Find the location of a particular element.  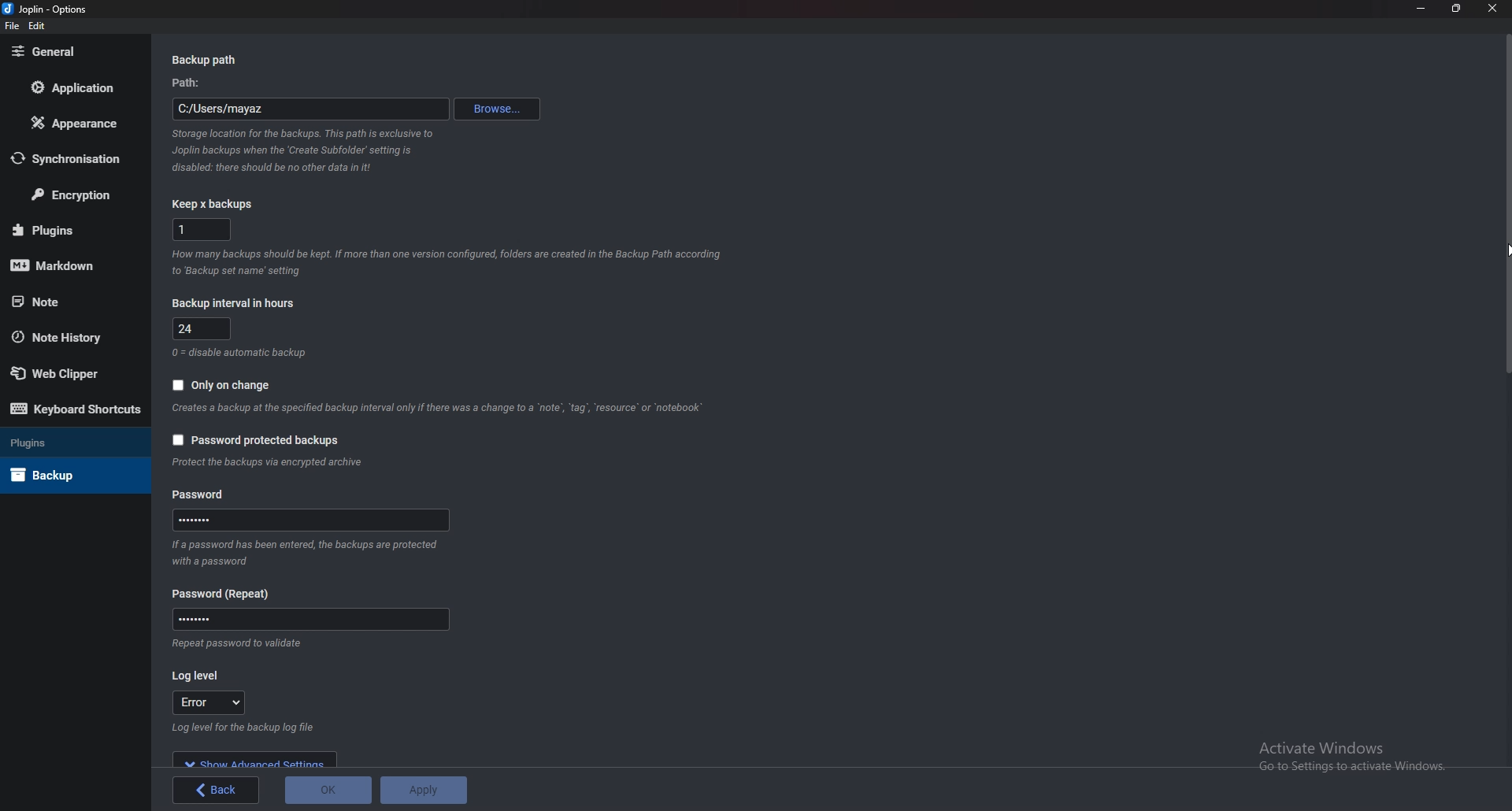

info is located at coordinates (271, 464).